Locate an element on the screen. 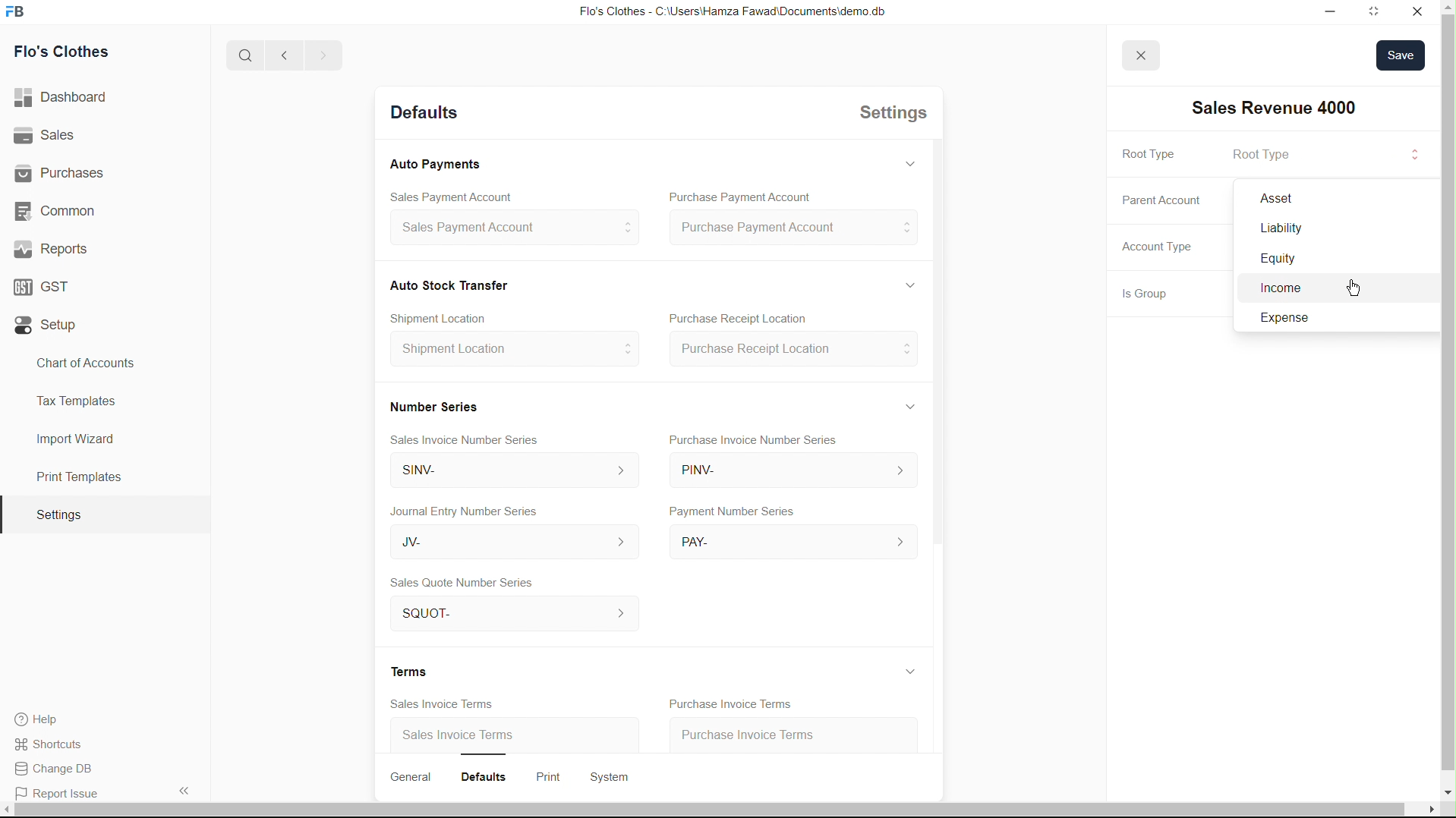  Sales Quote Number Series is located at coordinates (470, 584).